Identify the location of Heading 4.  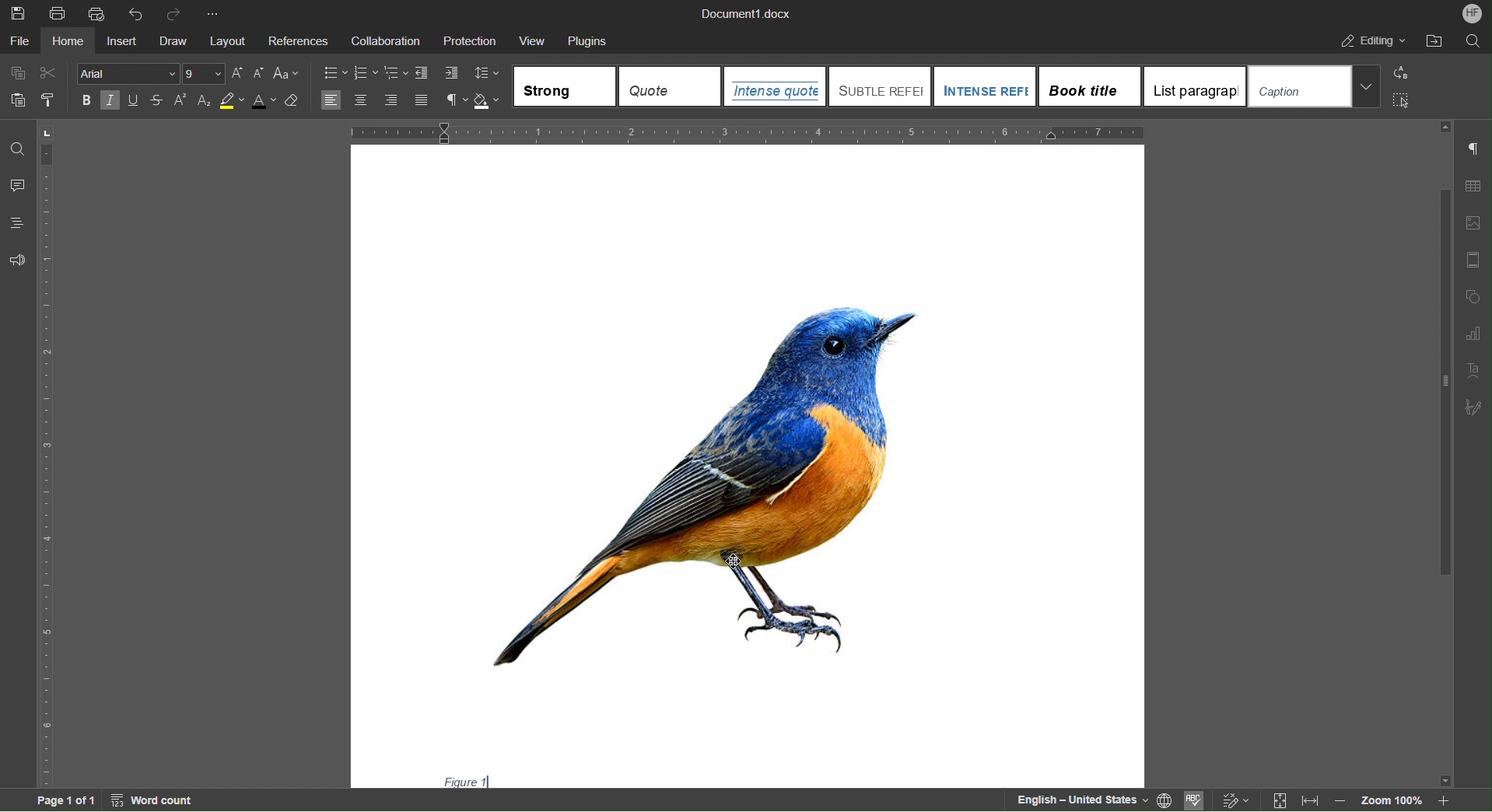
(1090, 86).